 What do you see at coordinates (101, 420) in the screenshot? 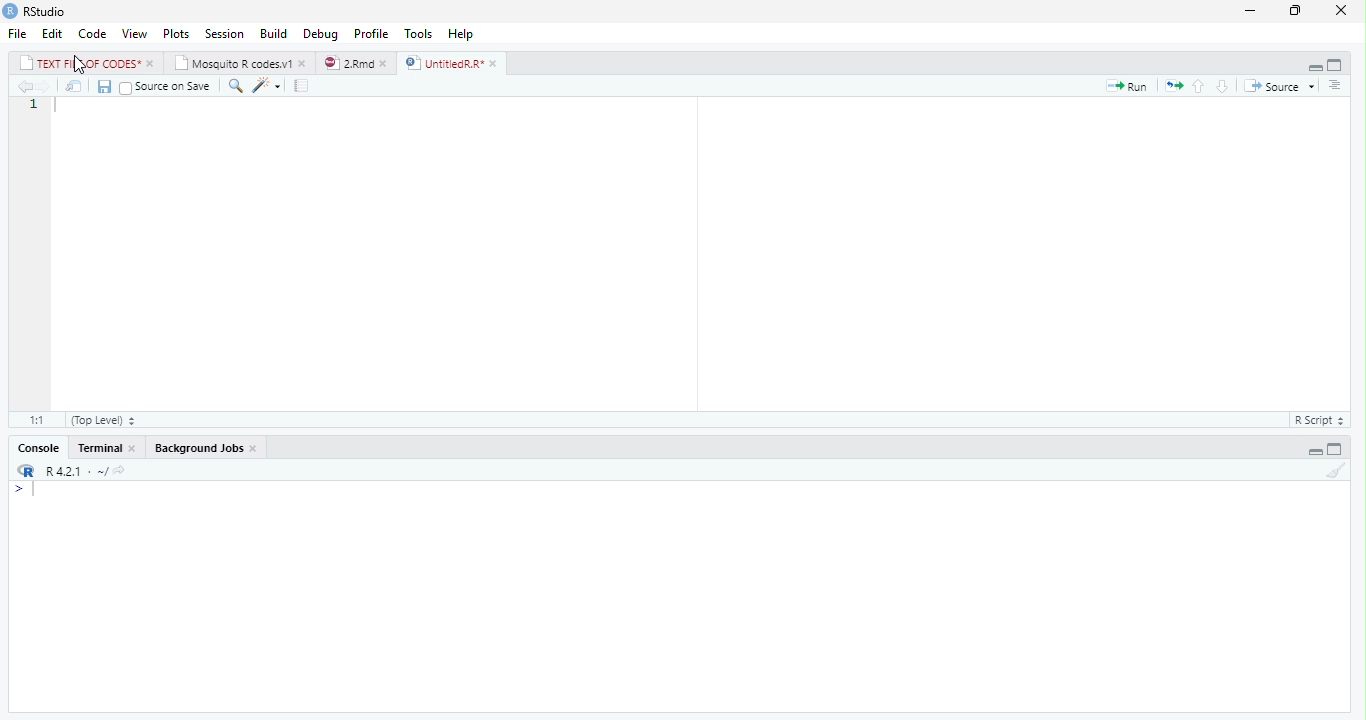
I see `(Top Level)` at bounding box center [101, 420].